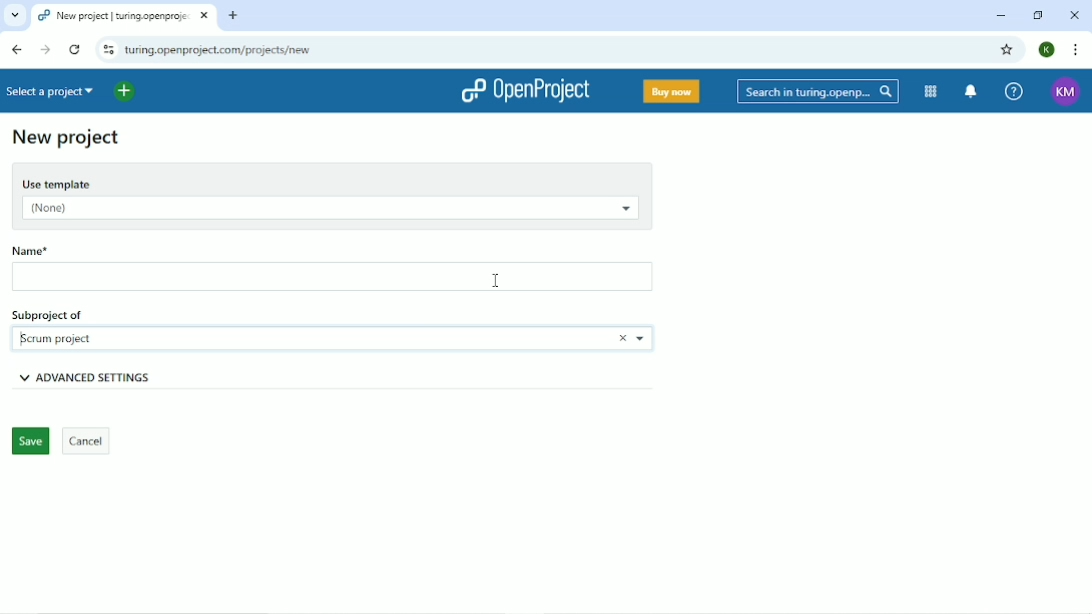  I want to click on Save, so click(29, 442).